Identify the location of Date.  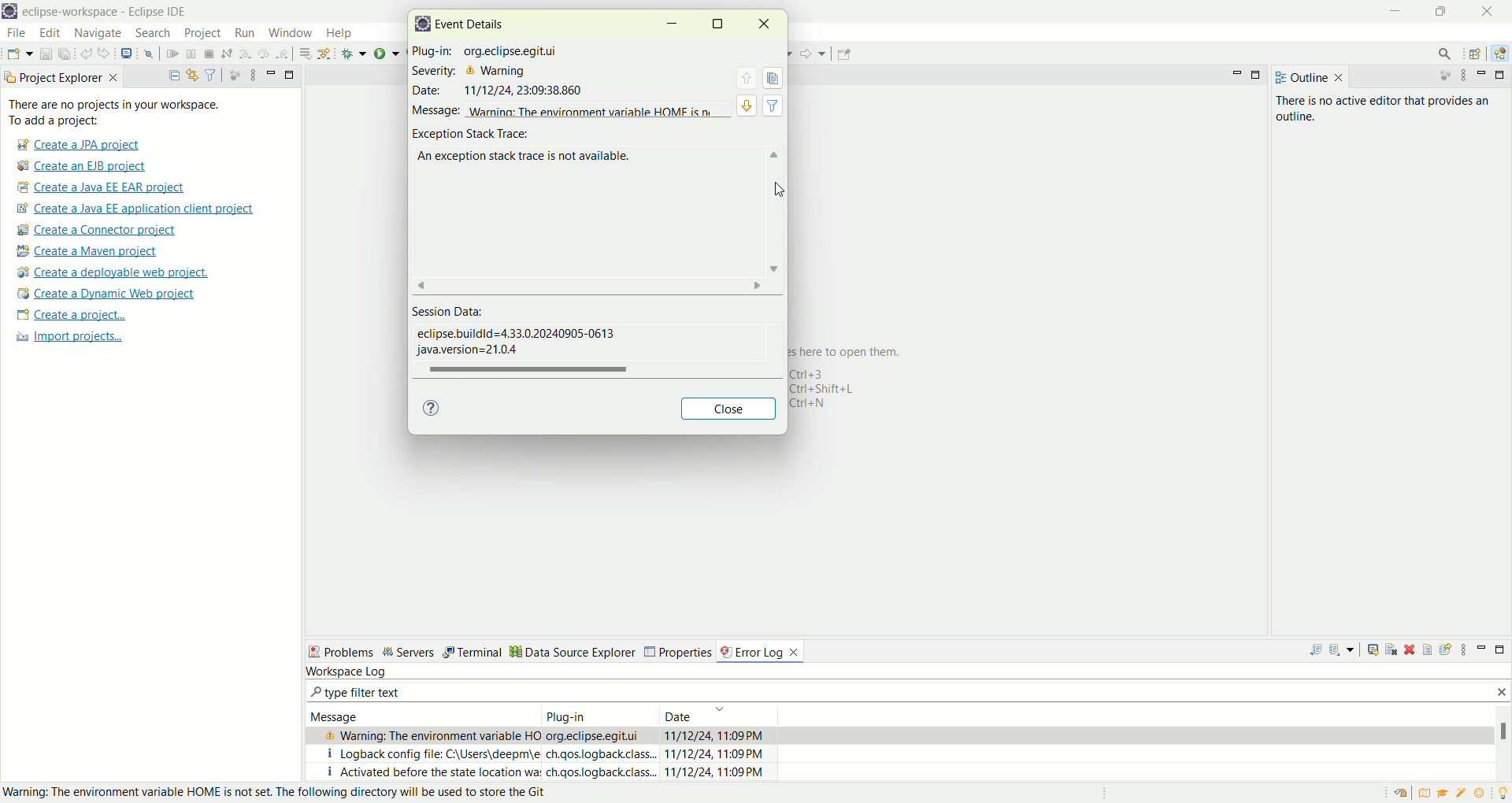
(701, 709).